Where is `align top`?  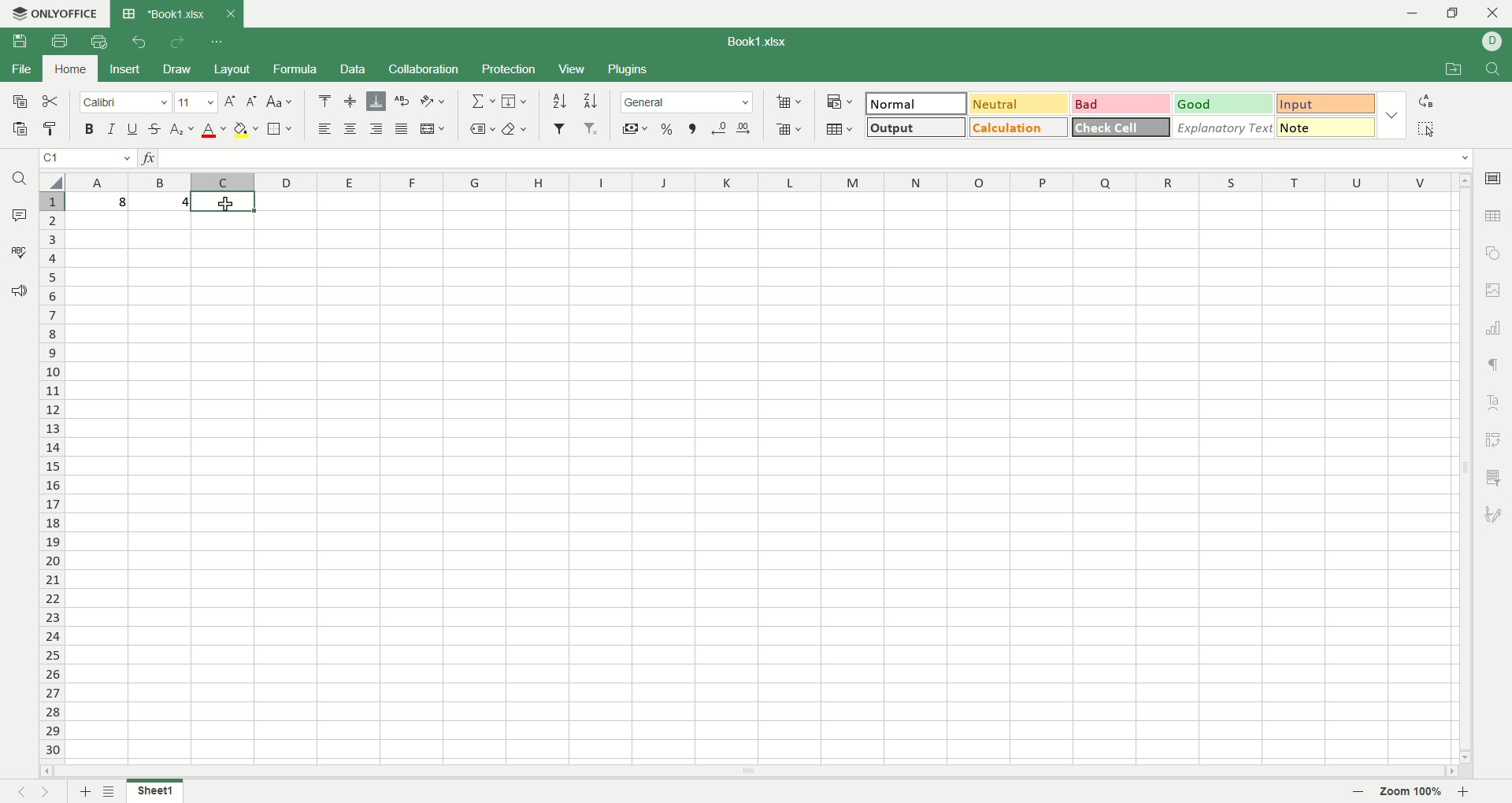 align top is located at coordinates (324, 101).